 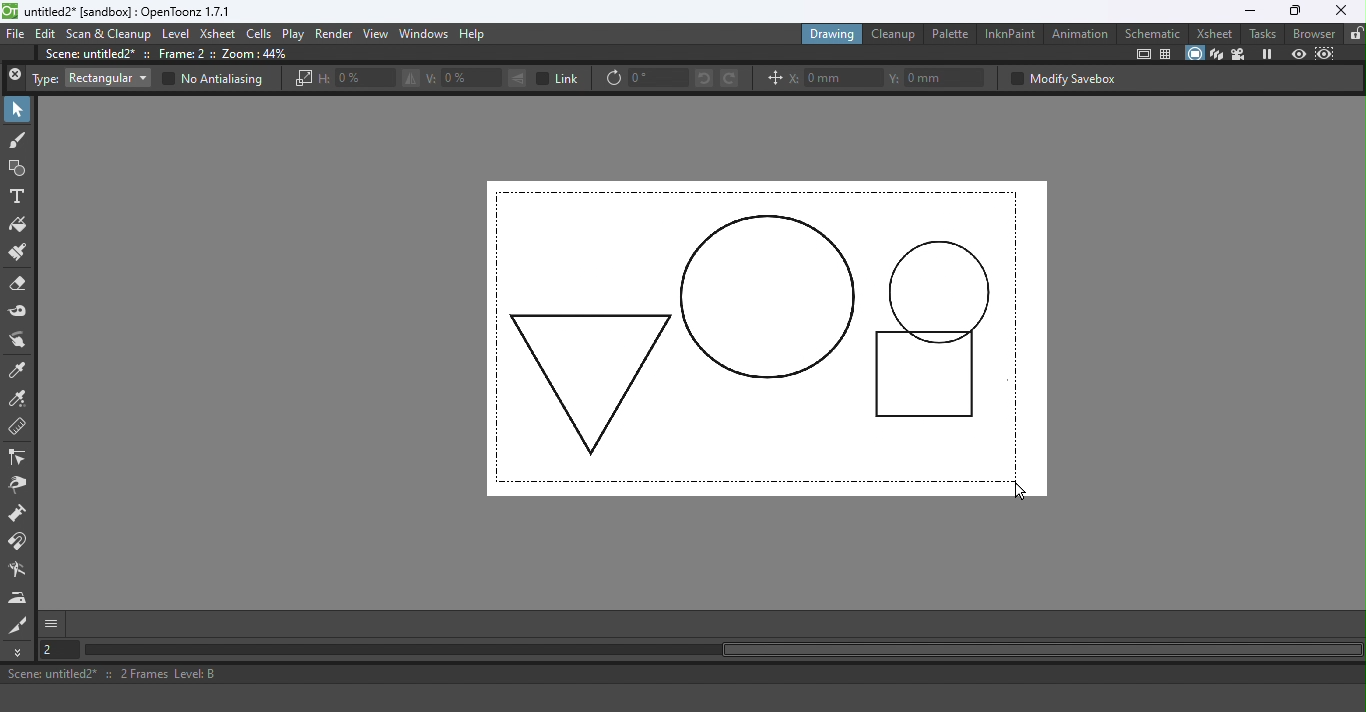 What do you see at coordinates (294, 34) in the screenshot?
I see `Play` at bounding box center [294, 34].